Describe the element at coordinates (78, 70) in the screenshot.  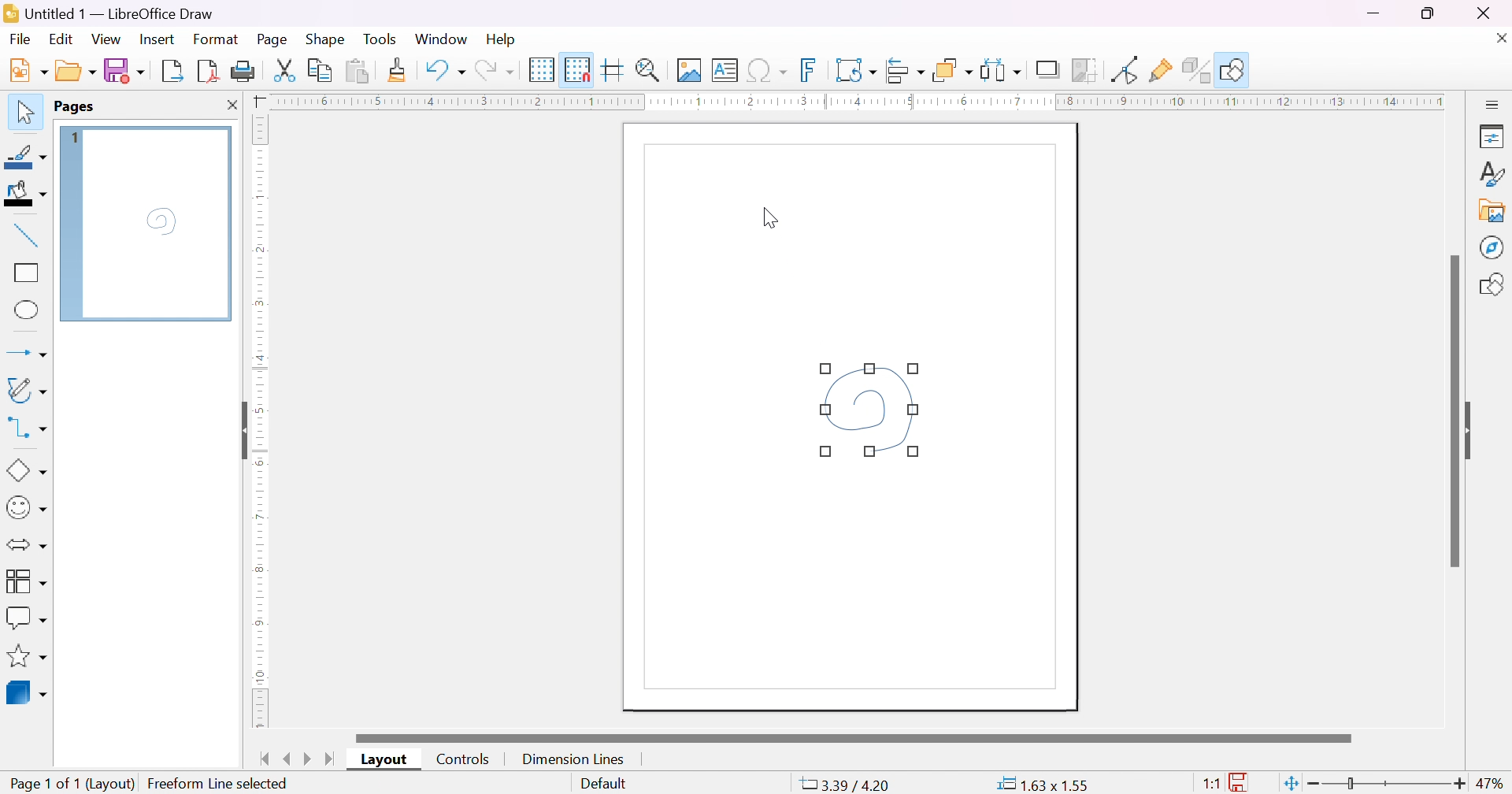
I see `open` at that location.